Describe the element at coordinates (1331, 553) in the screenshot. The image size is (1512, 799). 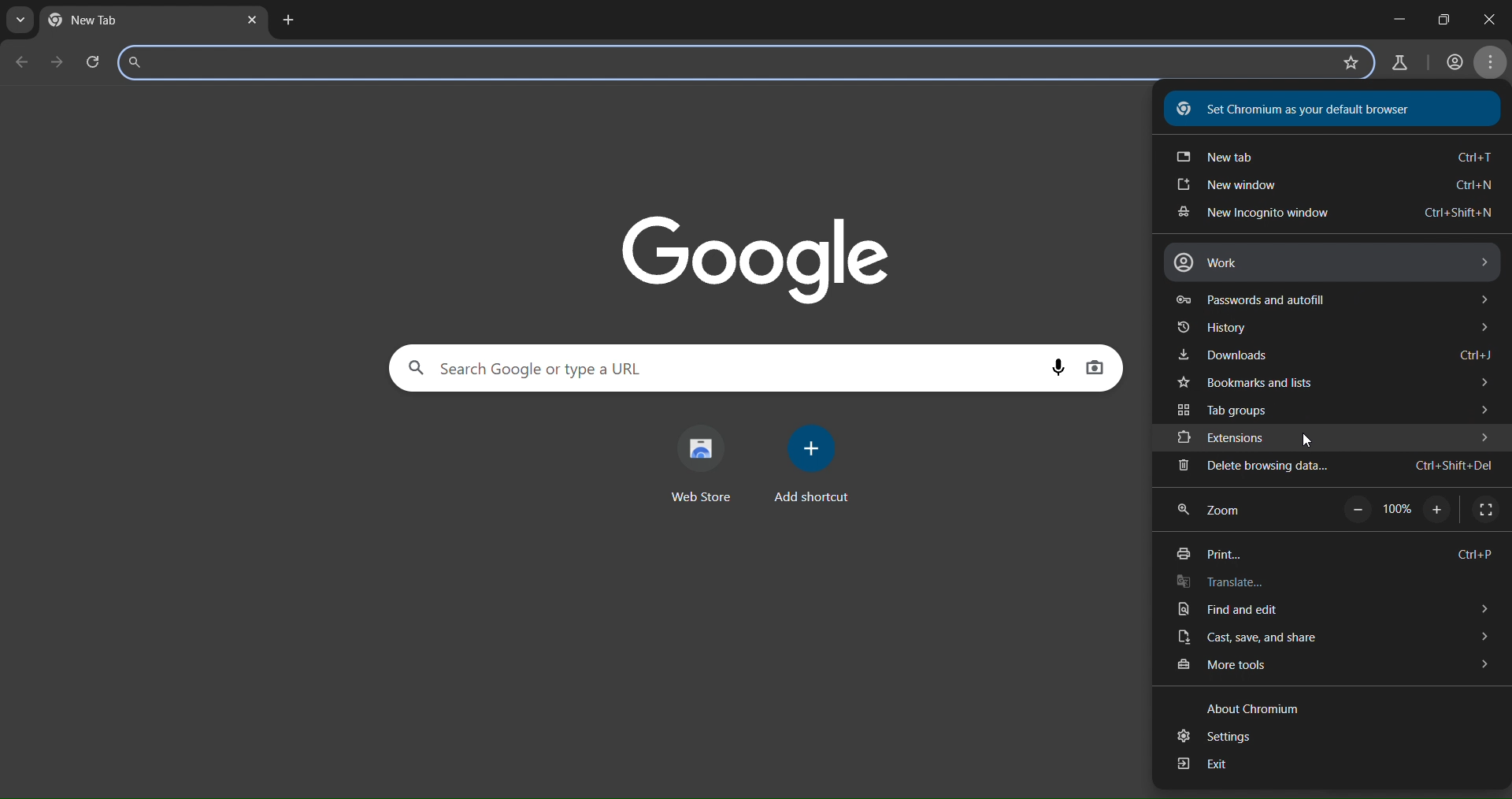
I see `print` at that location.